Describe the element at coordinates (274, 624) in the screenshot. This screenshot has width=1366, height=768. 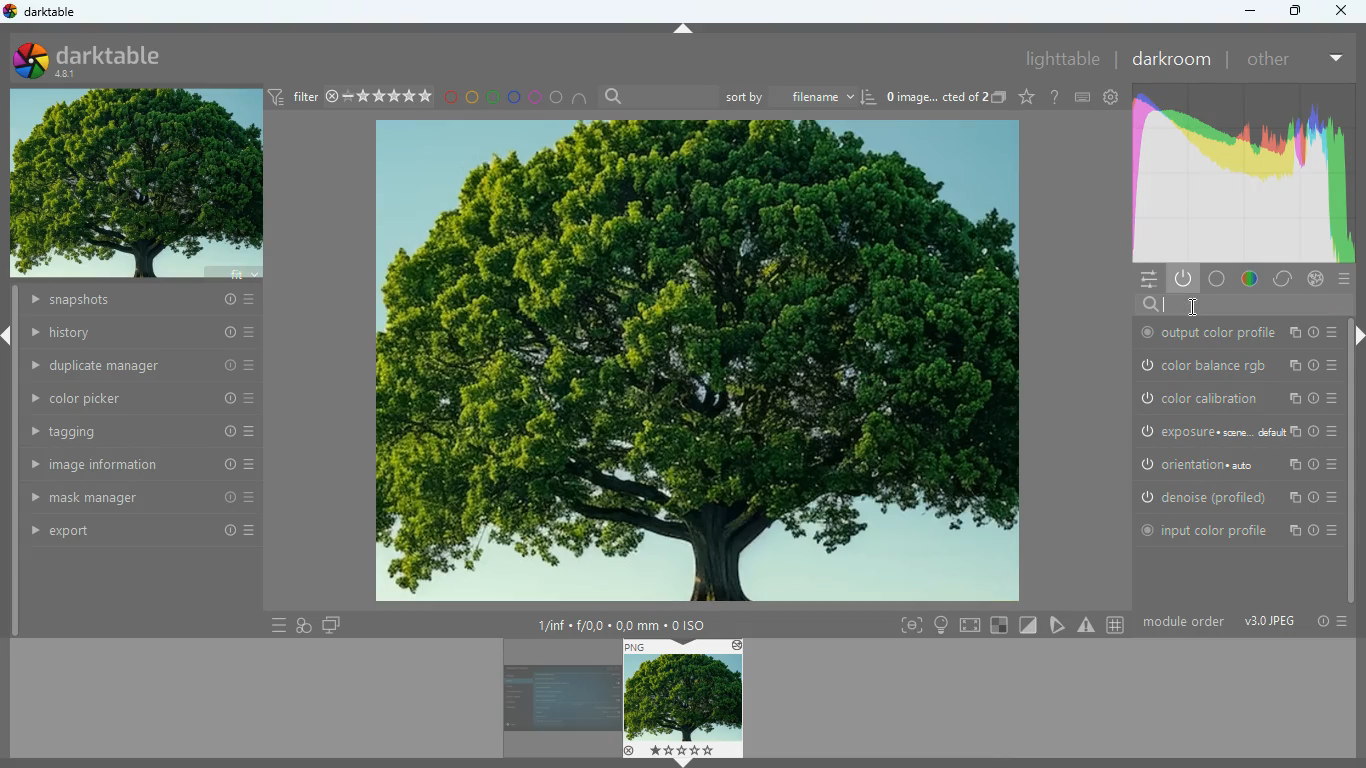
I see `menu` at that location.